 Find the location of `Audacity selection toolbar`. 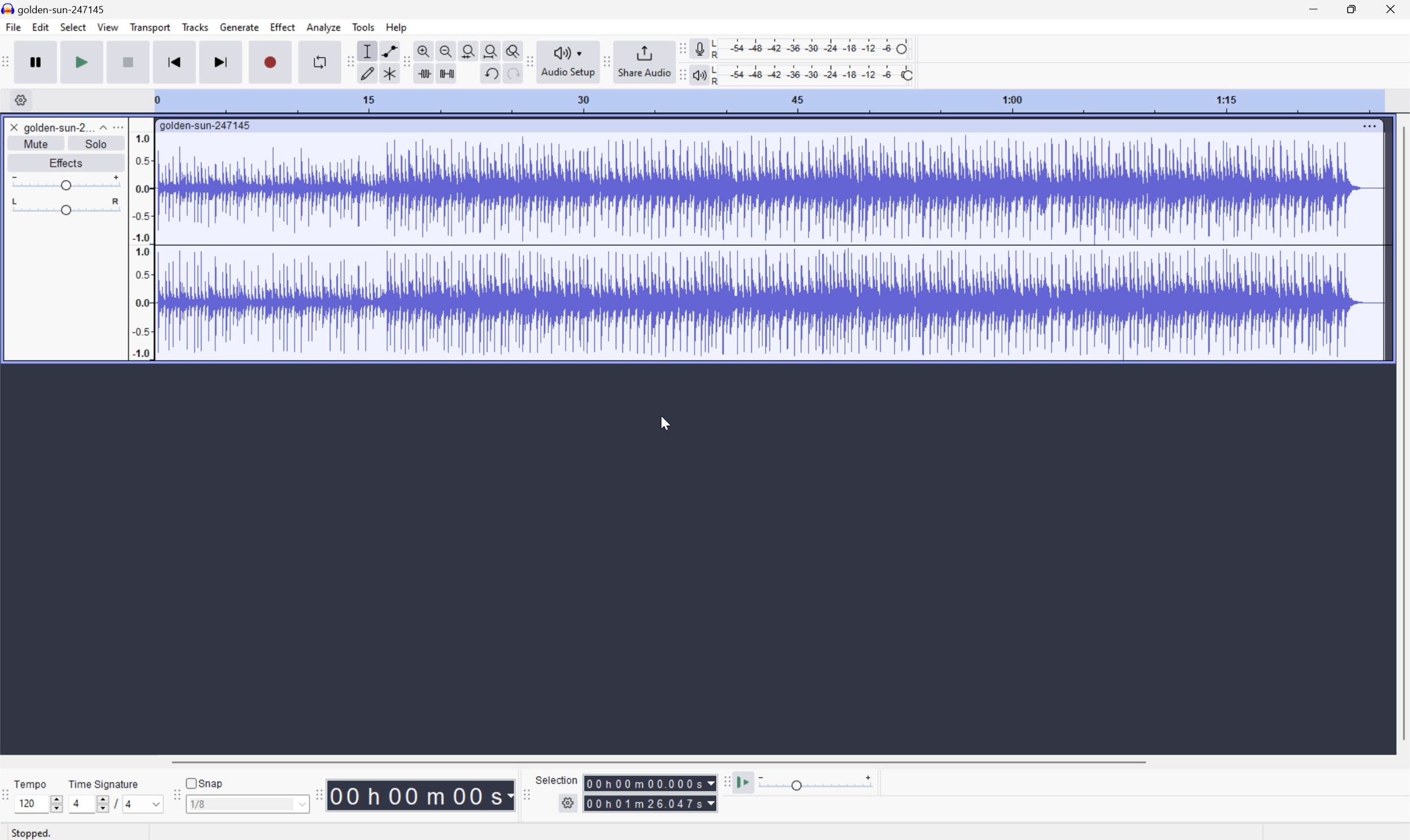

Audacity selection toolbar is located at coordinates (526, 798).